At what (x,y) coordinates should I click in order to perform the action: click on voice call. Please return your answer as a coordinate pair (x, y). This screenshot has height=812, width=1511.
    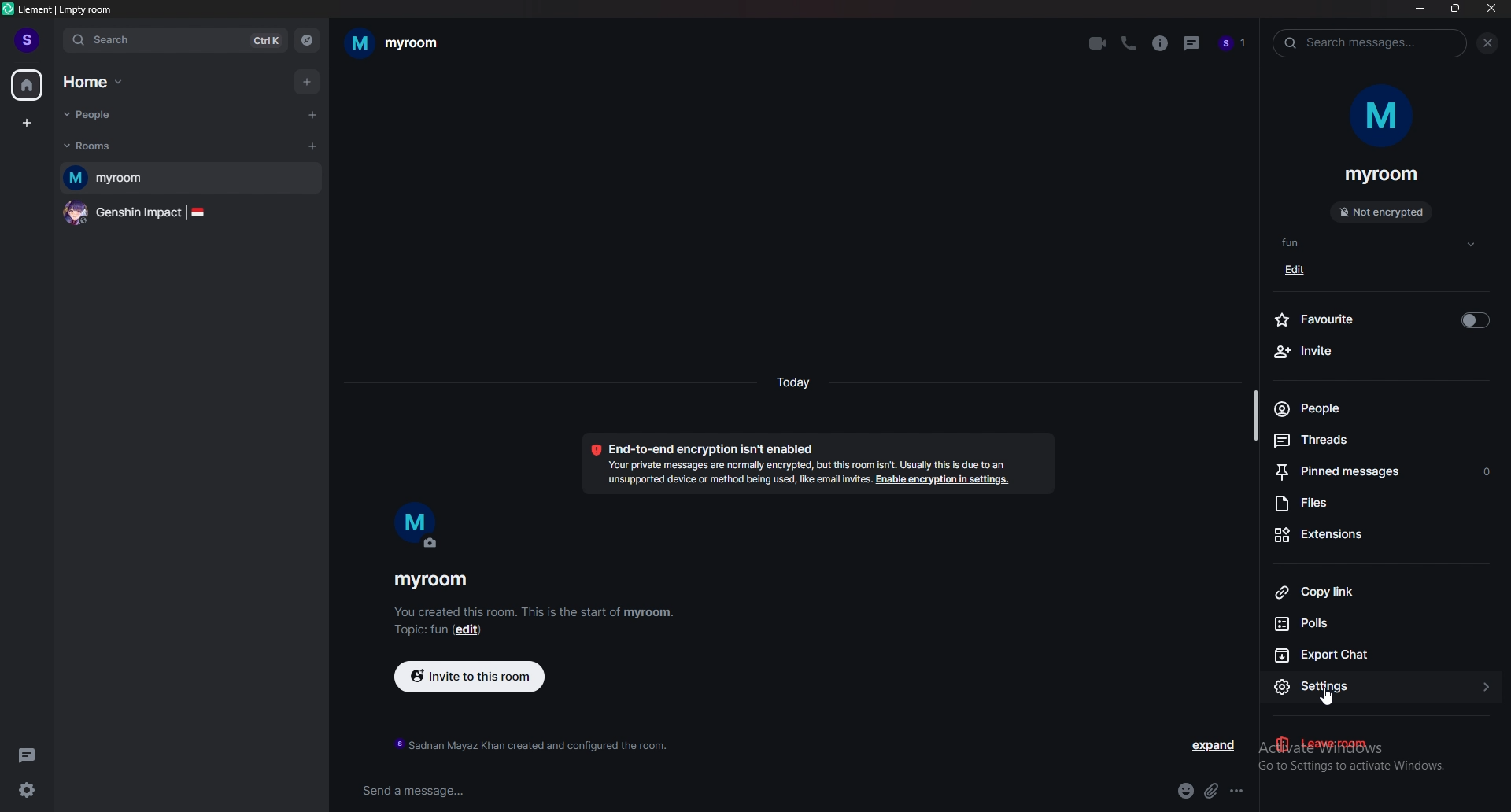
    Looking at the image, I should click on (1129, 44).